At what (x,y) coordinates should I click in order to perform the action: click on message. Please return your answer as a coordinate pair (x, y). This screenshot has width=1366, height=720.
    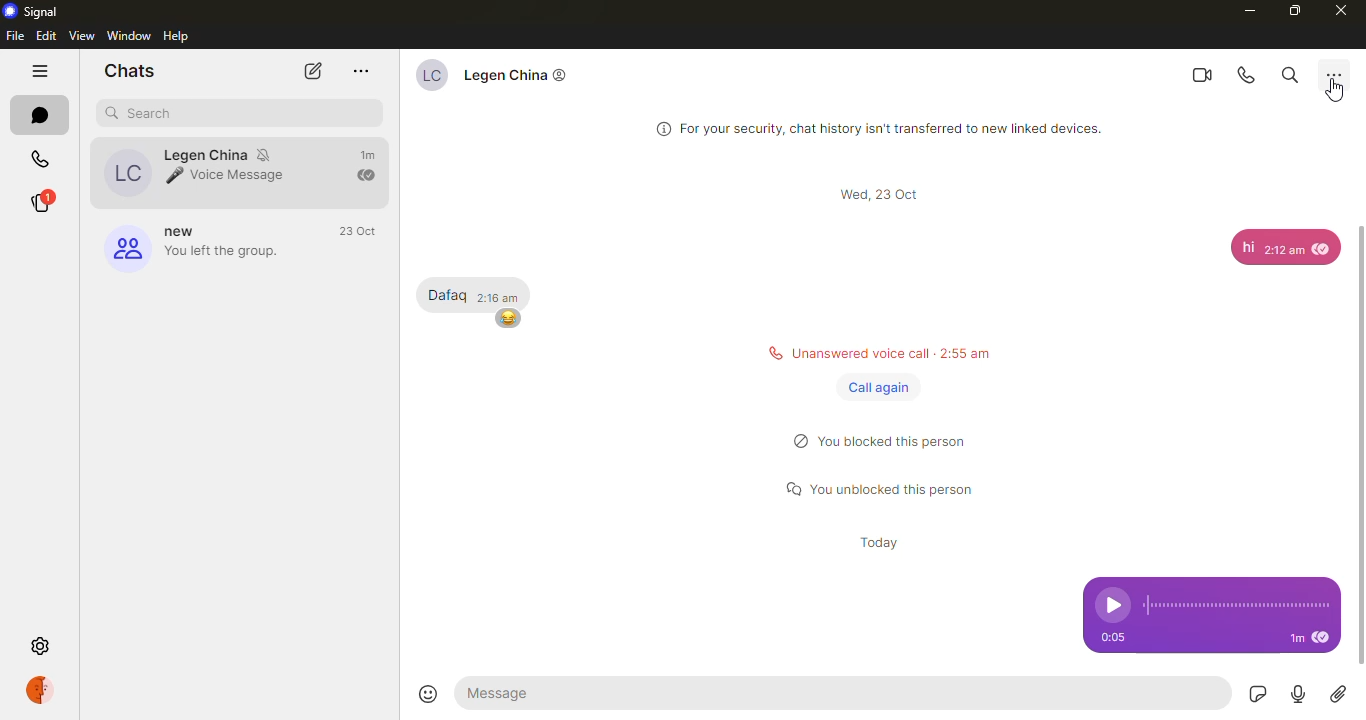
    Looking at the image, I should click on (1237, 247).